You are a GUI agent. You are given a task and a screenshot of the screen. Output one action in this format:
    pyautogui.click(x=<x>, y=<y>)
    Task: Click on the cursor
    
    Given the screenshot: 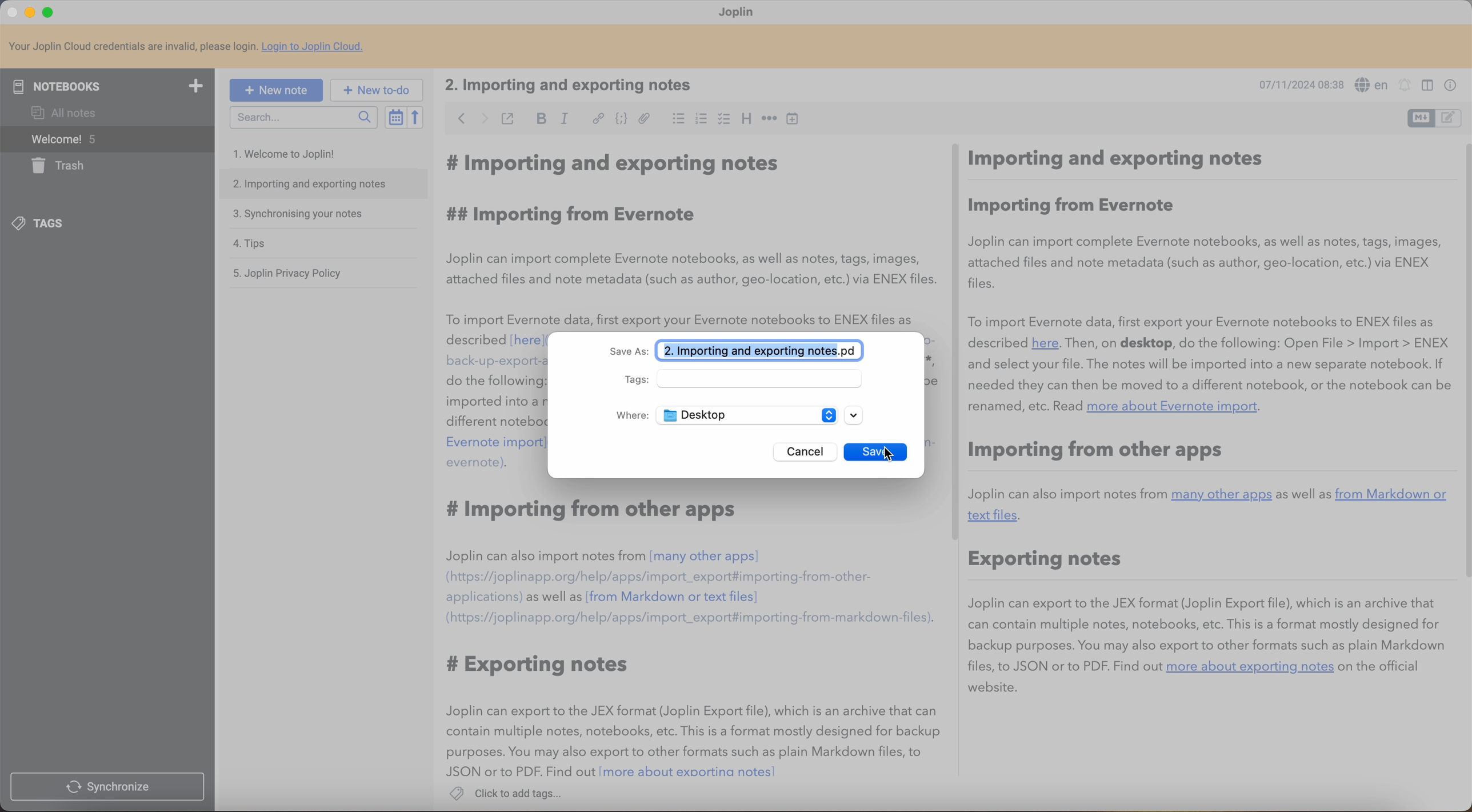 What is the action you would take?
    pyautogui.click(x=895, y=452)
    